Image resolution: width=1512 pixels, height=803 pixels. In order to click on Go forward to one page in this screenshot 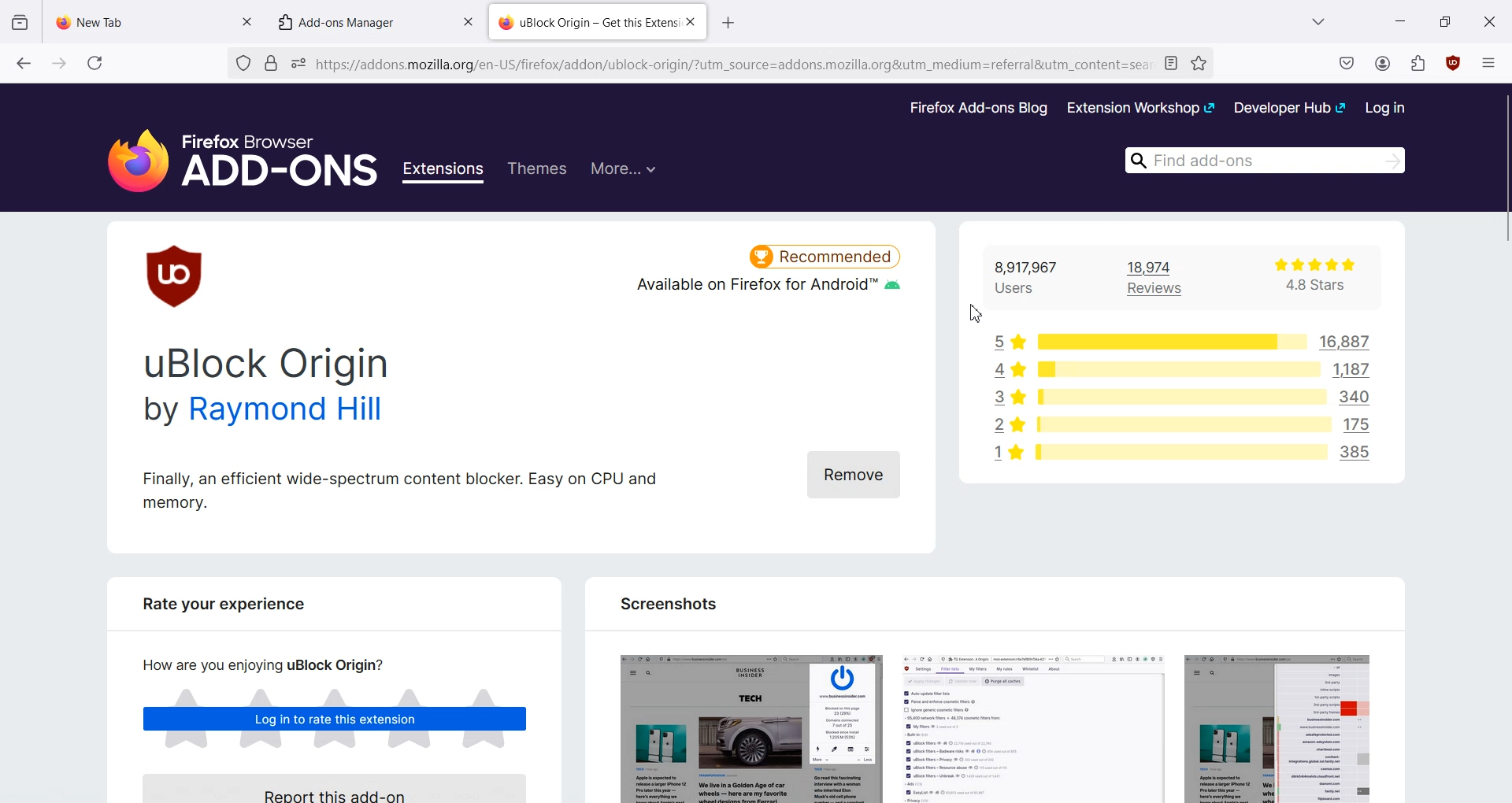, I will do `click(58, 62)`.